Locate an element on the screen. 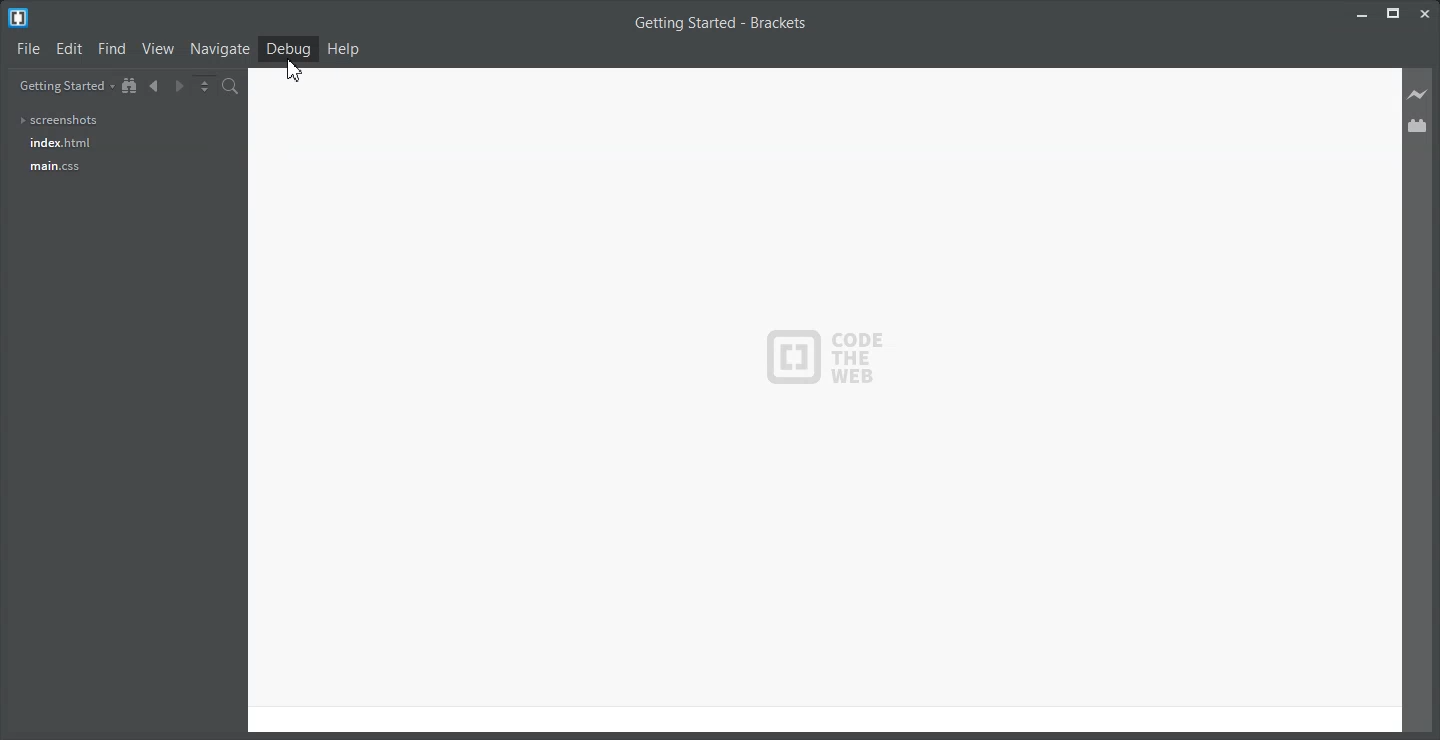  screenshots is located at coordinates (57, 120).